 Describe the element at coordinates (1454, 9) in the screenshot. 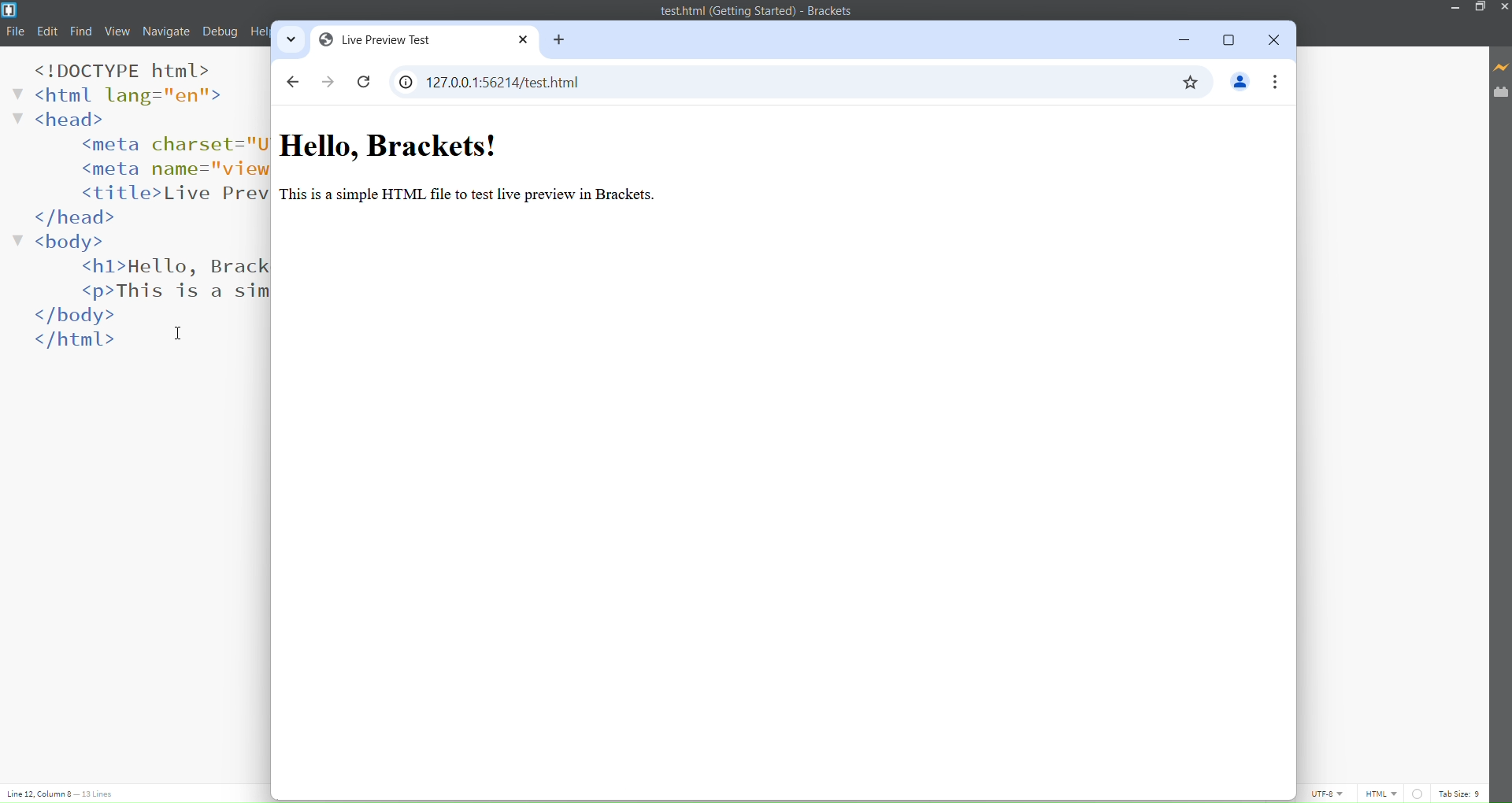

I see `Minimize` at that location.